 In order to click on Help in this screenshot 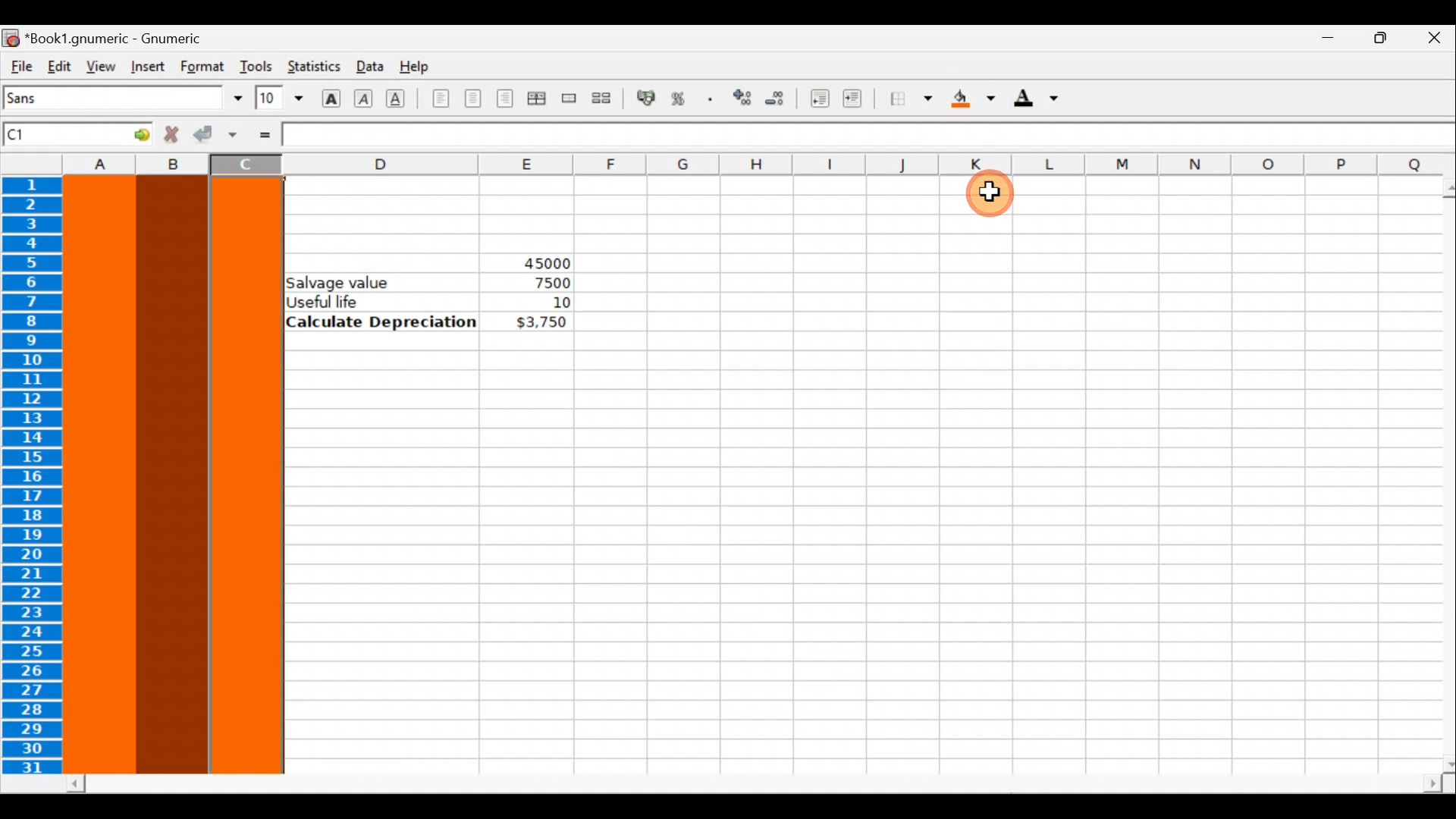, I will do `click(419, 67)`.